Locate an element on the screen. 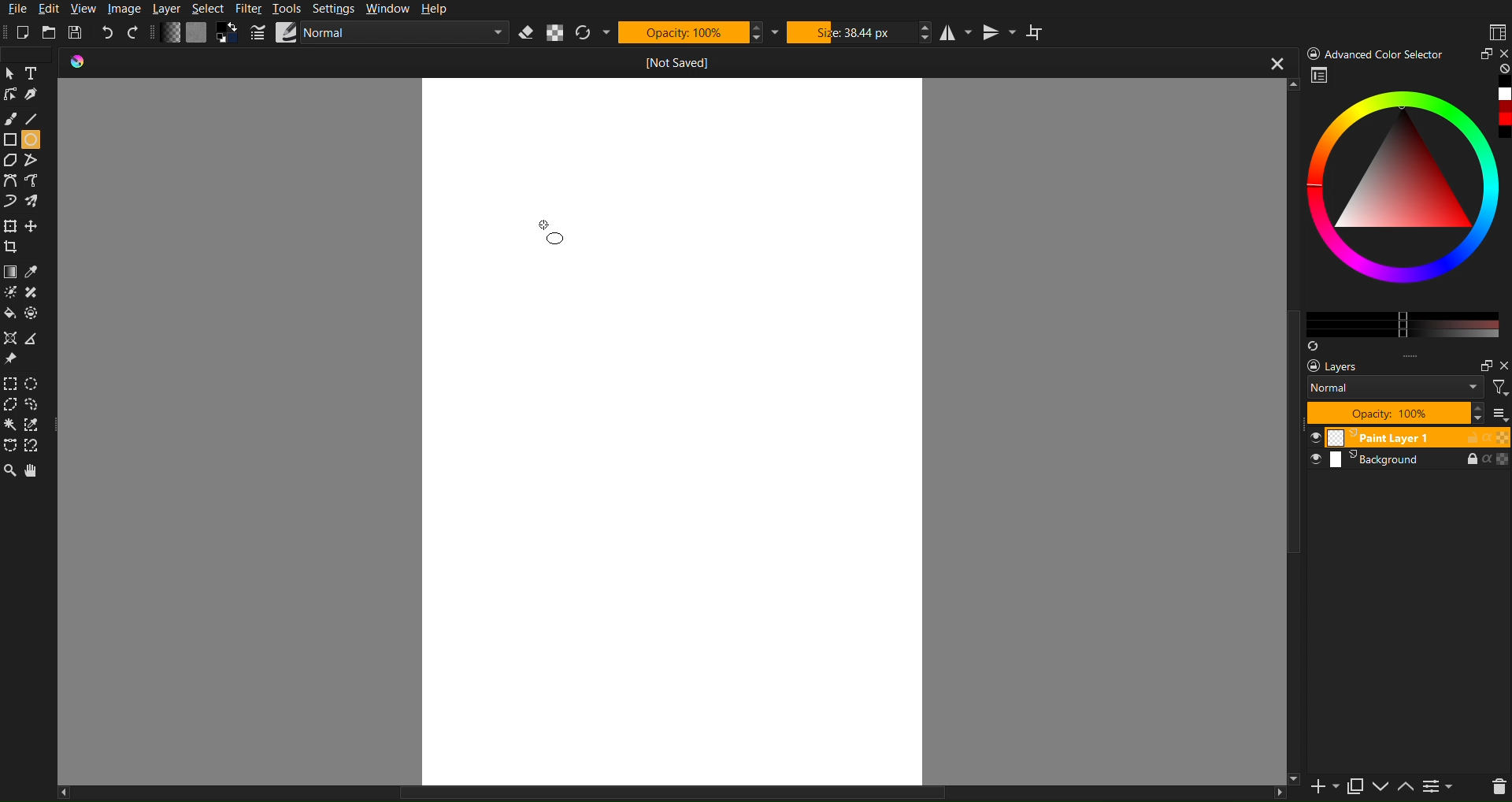  none is located at coordinates (1501, 69).